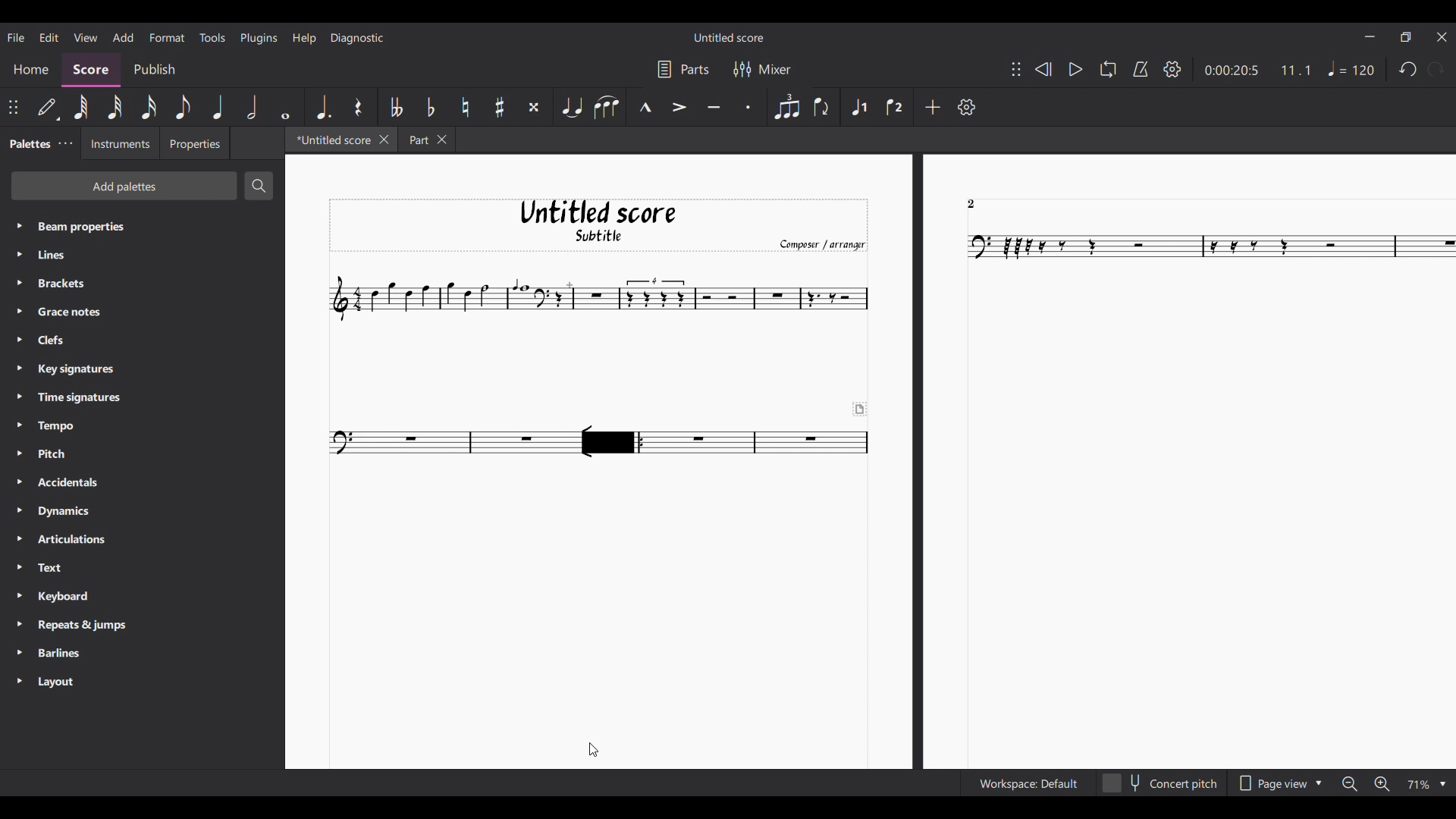 The height and width of the screenshot is (819, 1456). I want to click on Toggle sharp, so click(499, 107).